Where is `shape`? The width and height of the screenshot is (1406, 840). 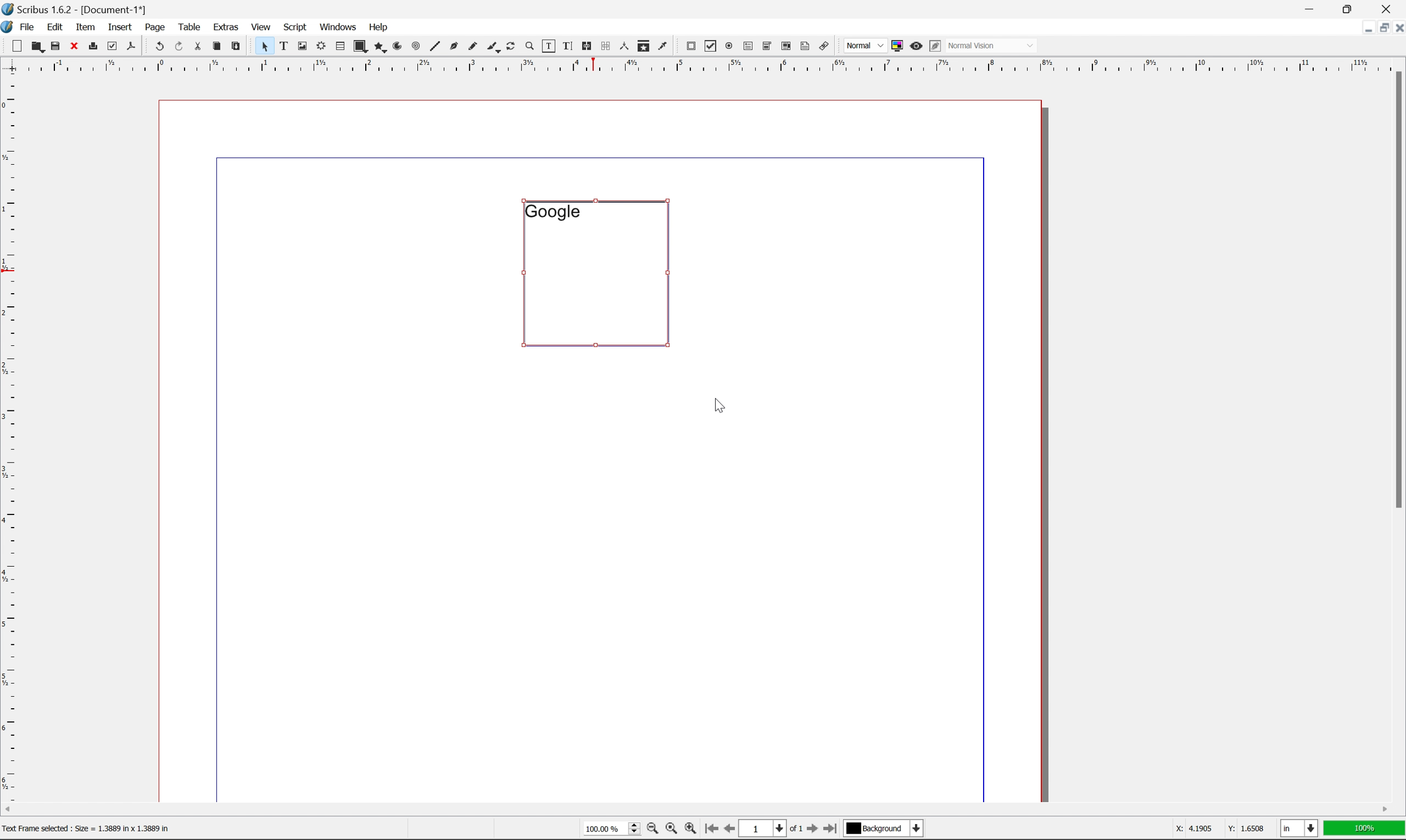
shape is located at coordinates (361, 47).